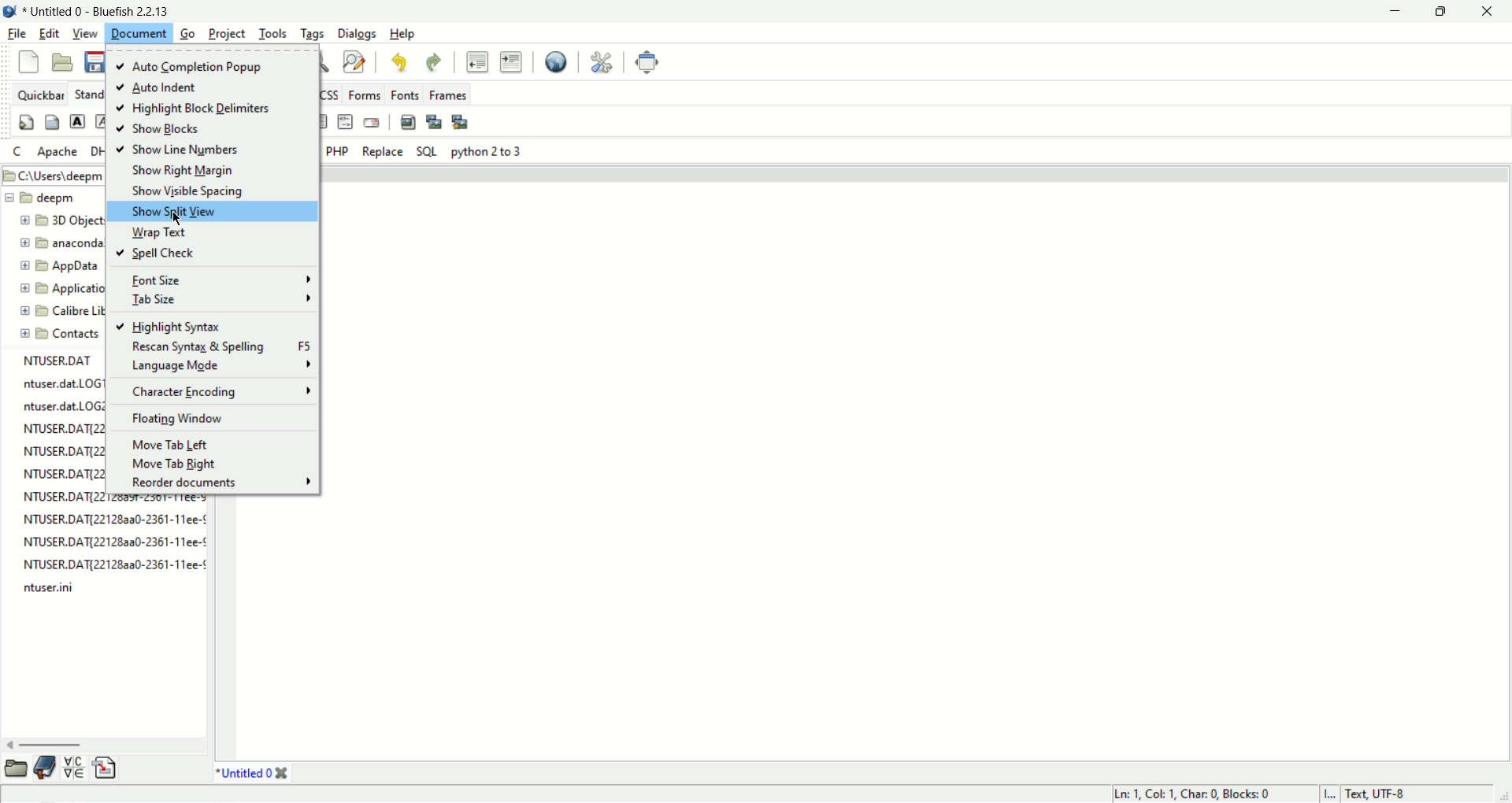 The height and width of the screenshot is (803, 1512). Describe the element at coordinates (487, 151) in the screenshot. I see `Python 2 to 3` at that location.